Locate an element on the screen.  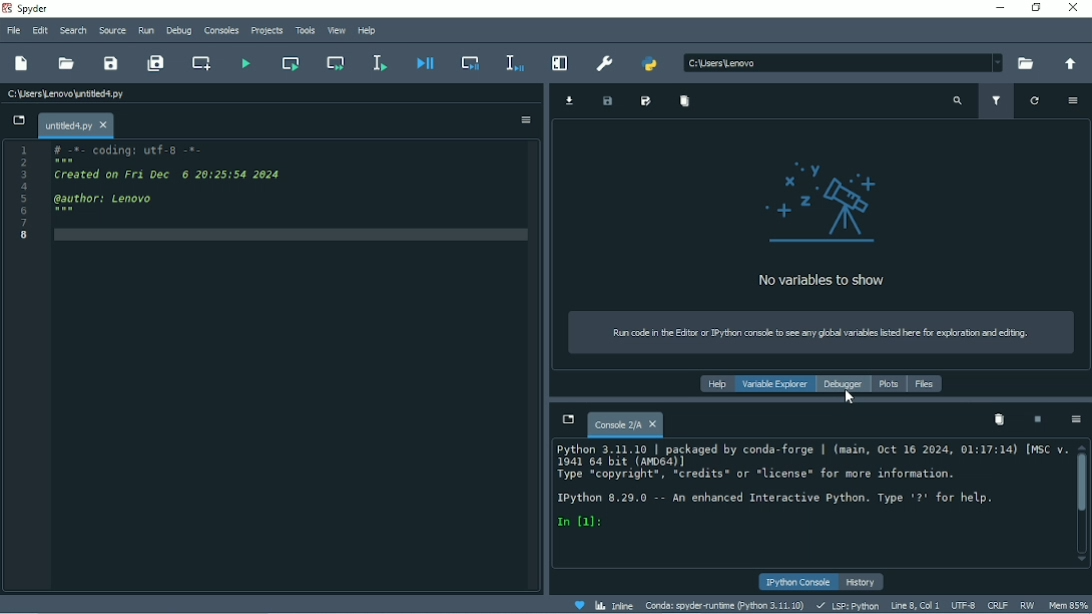
No variables to show is located at coordinates (825, 281).